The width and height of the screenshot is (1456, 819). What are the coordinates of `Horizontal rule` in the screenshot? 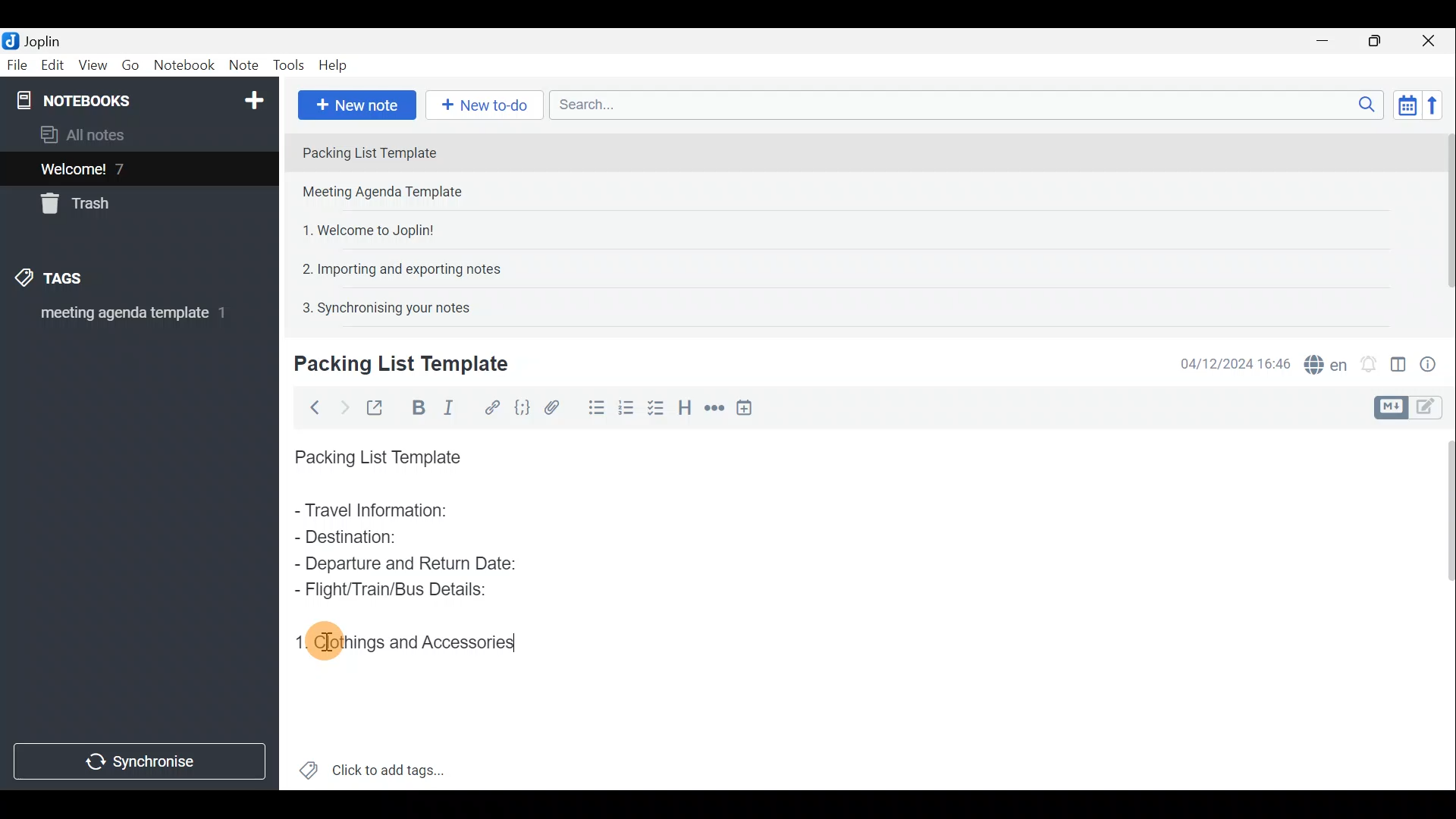 It's located at (712, 408).